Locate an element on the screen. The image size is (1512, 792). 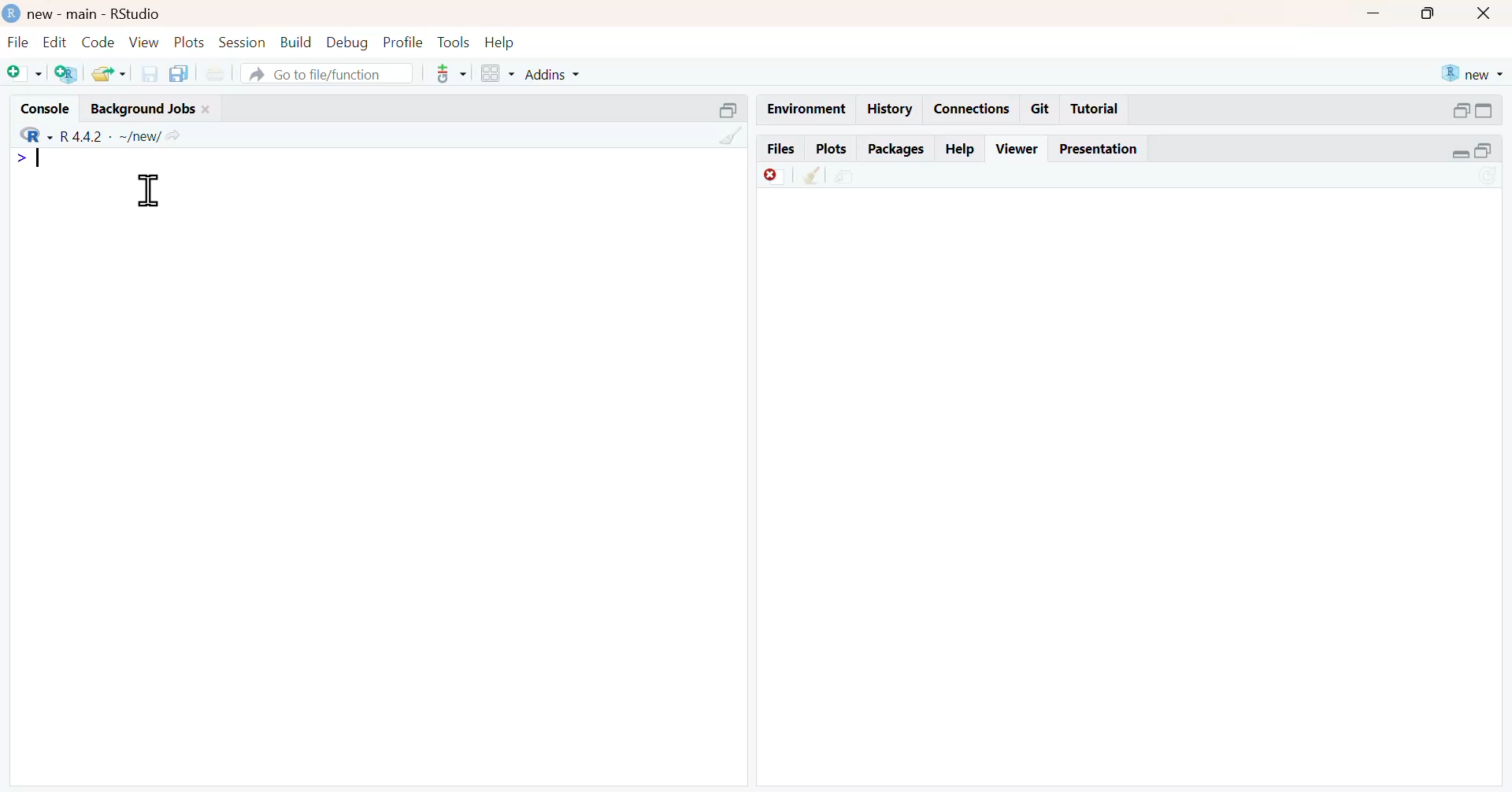
help is located at coordinates (961, 146).